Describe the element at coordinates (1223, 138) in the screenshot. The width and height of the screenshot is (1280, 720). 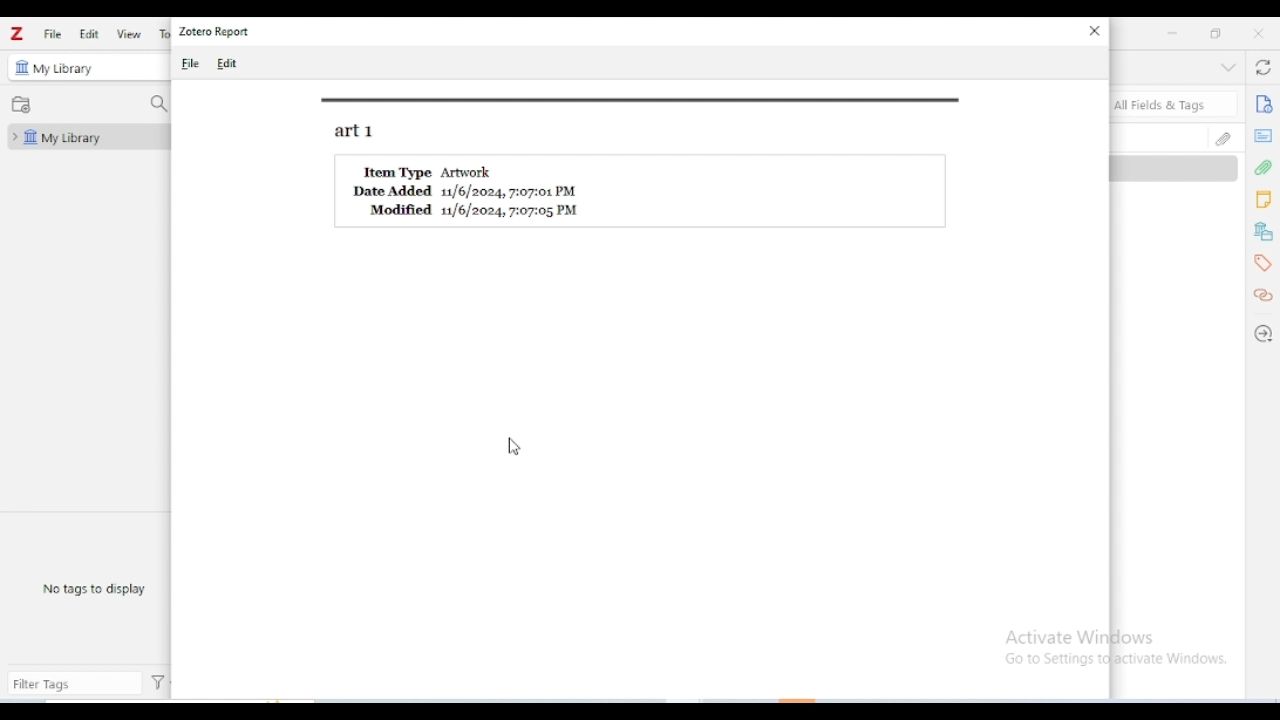
I see `attachments` at that location.